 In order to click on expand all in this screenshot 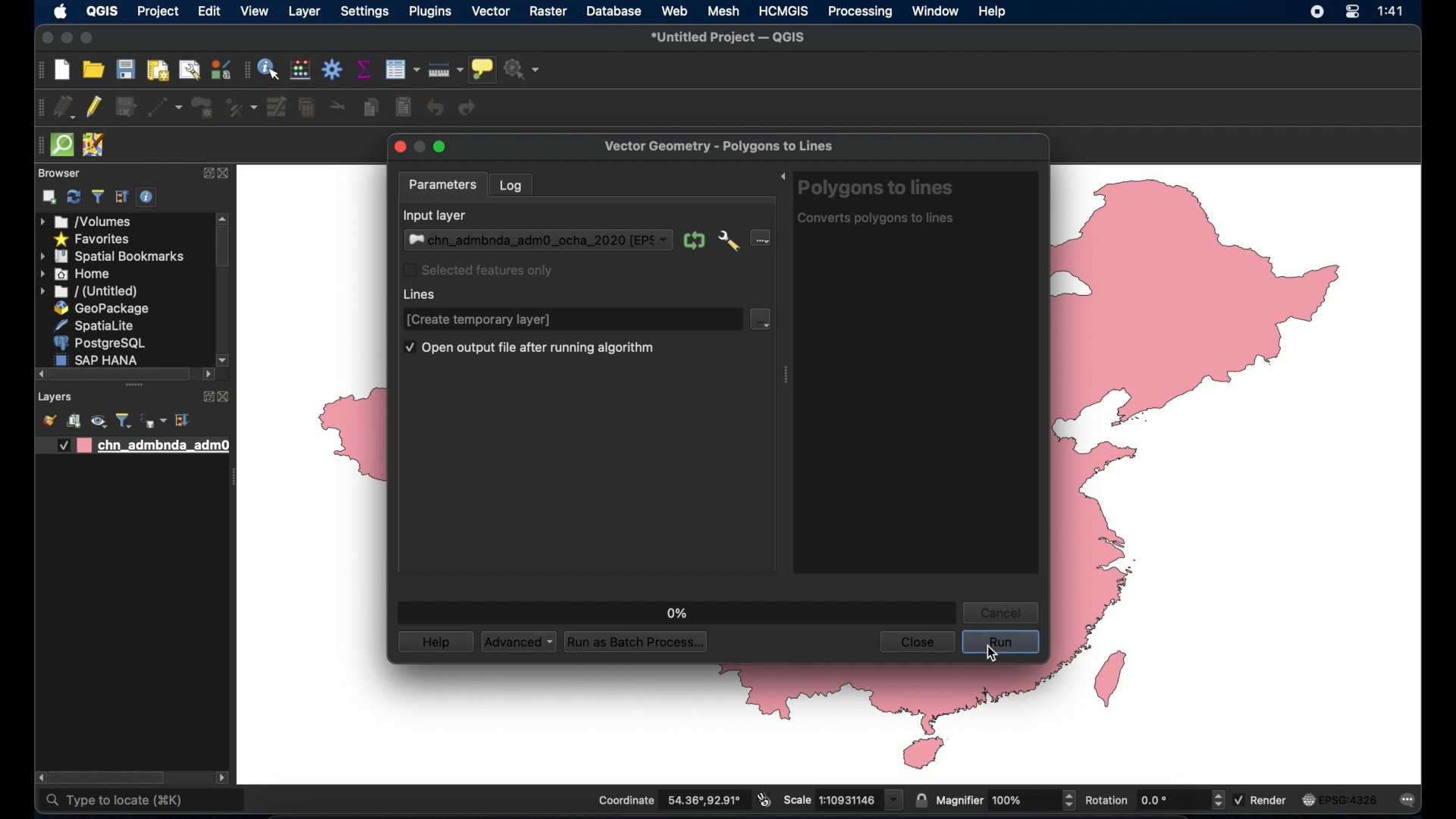, I will do `click(184, 420)`.